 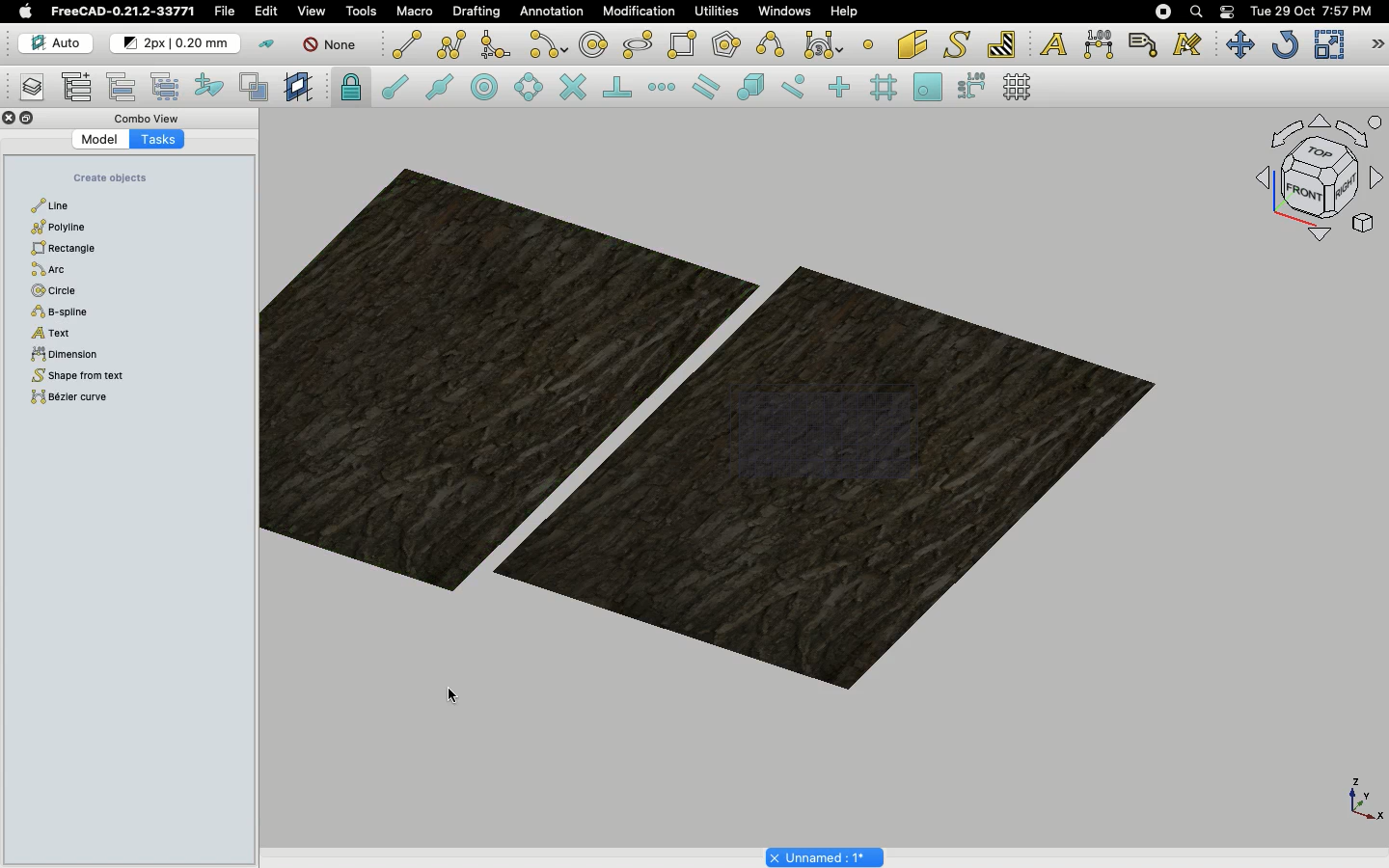 What do you see at coordinates (58, 227) in the screenshot?
I see `Polygon` at bounding box center [58, 227].